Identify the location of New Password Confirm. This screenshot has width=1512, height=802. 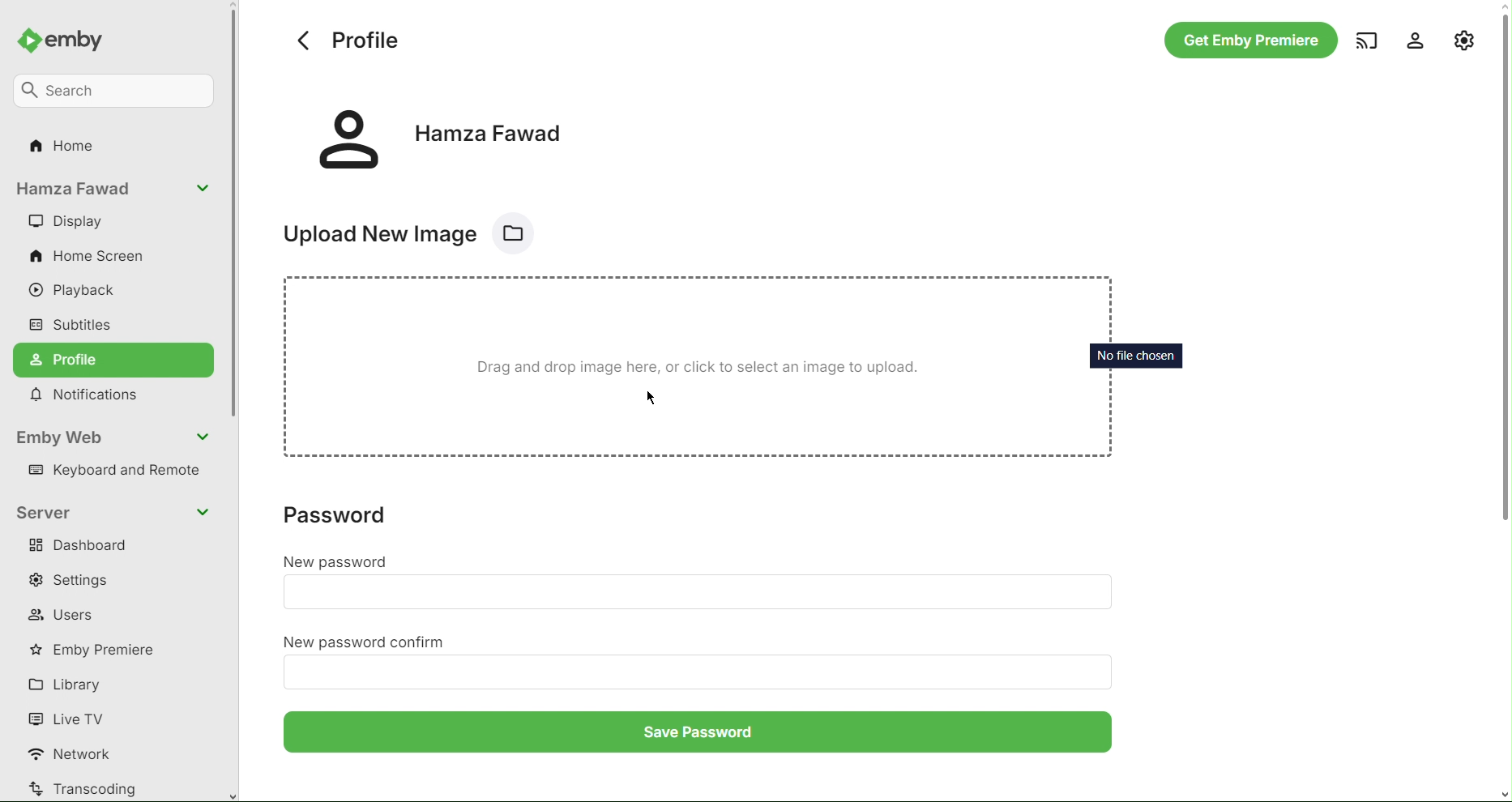
(698, 670).